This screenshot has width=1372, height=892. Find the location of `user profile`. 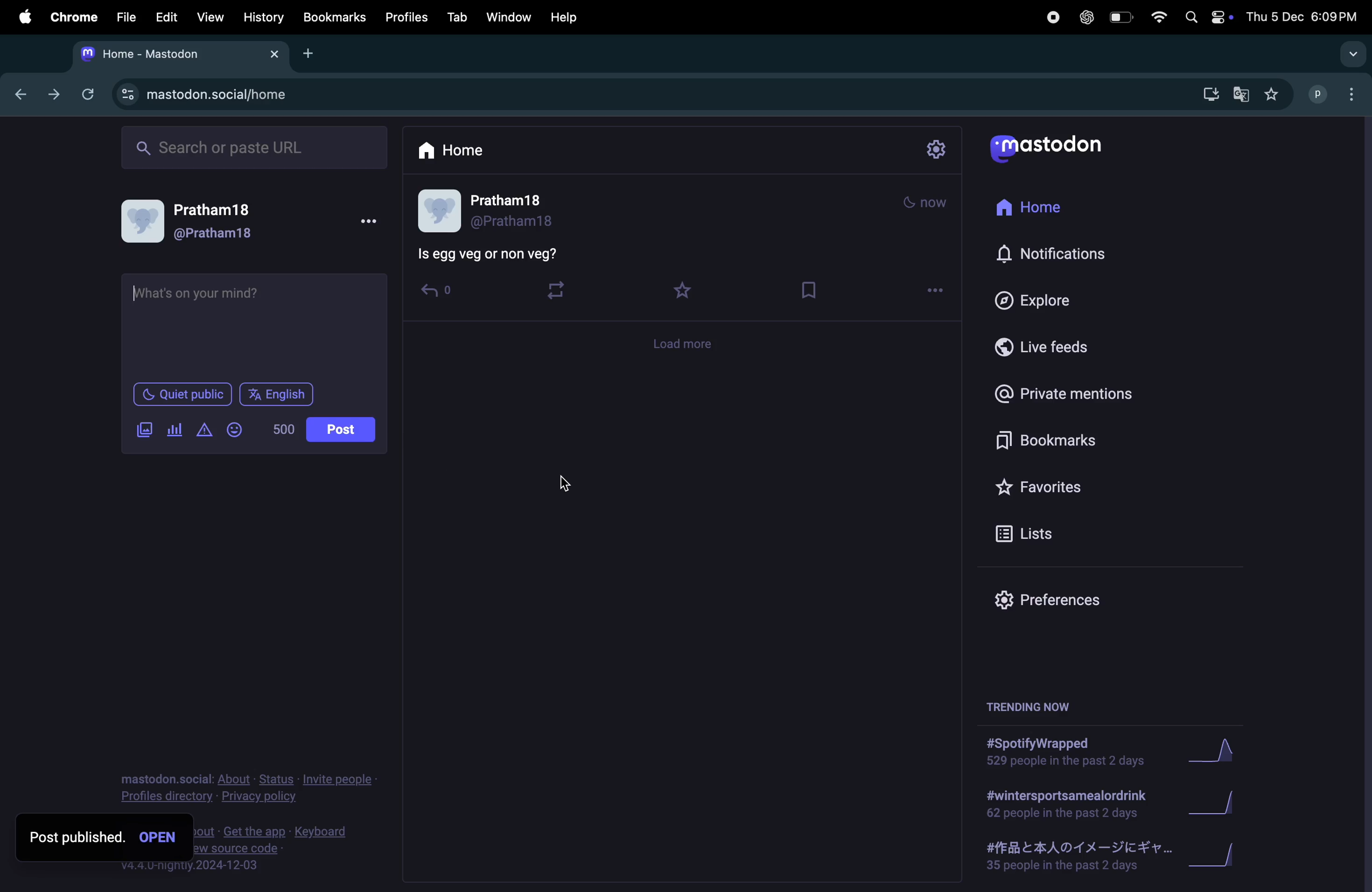

user profile is located at coordinates (1336, 93).